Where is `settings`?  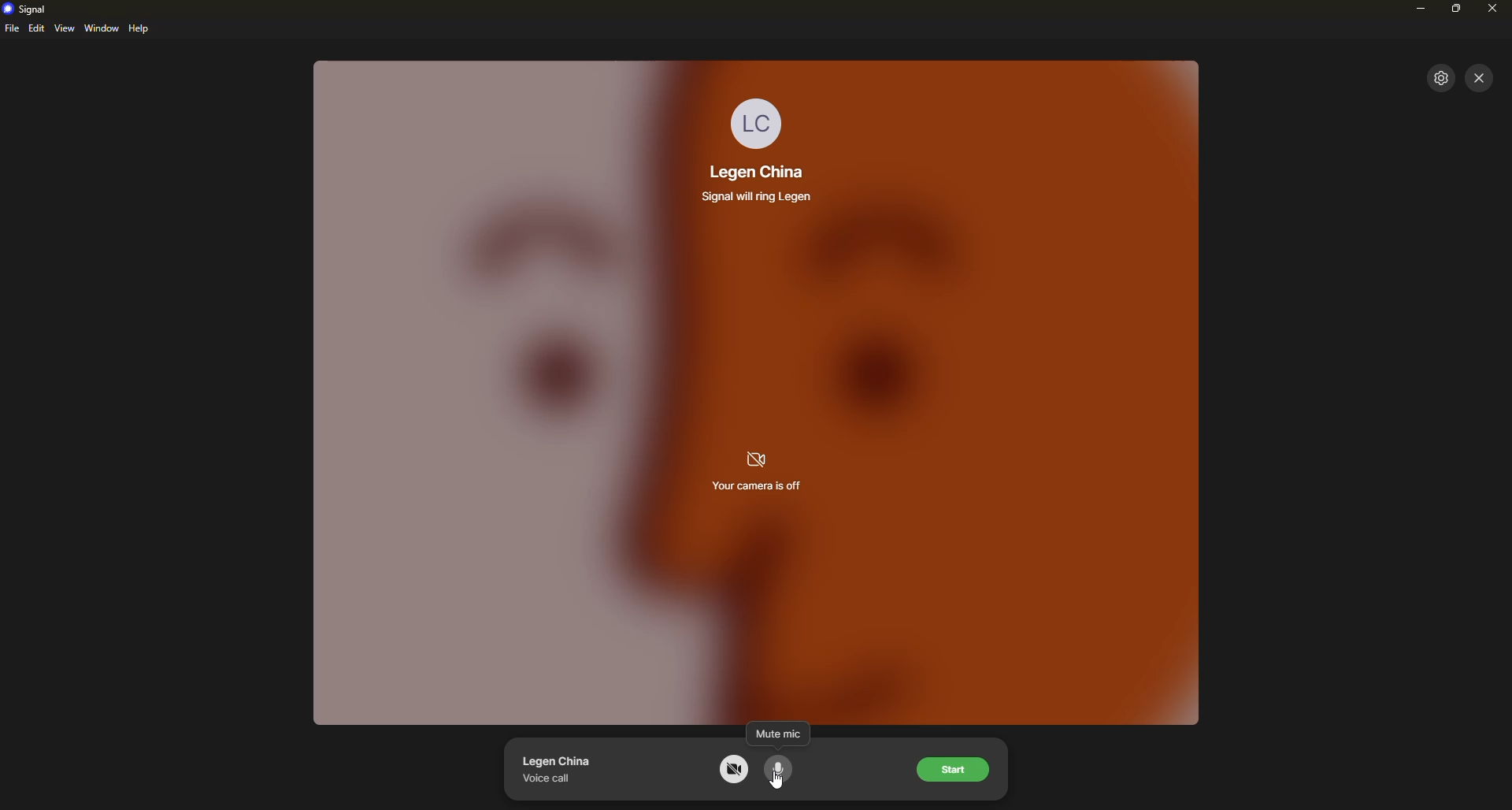 settings is located at coordinates (1442, 77).